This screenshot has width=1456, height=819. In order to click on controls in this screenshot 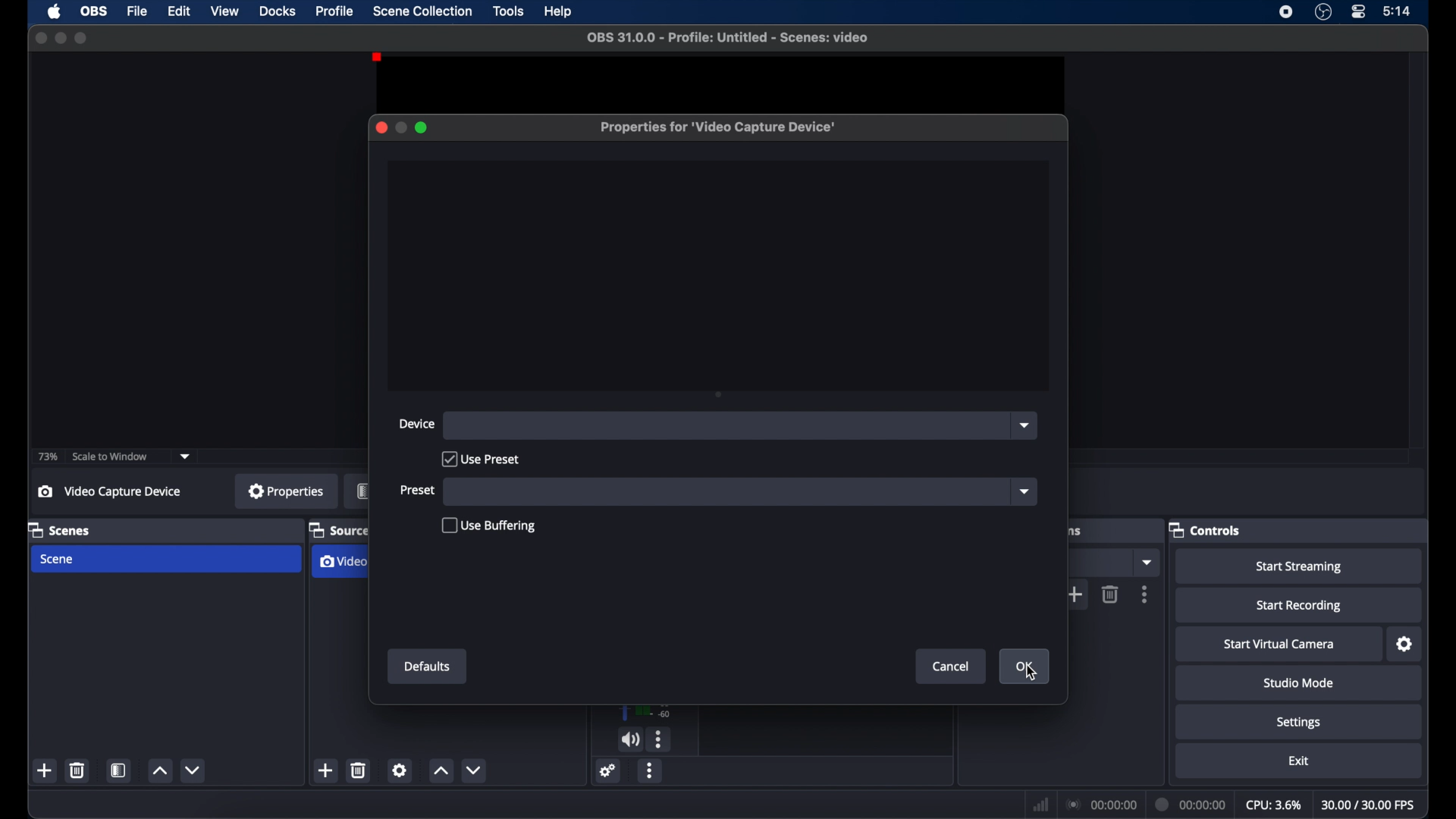, I will do `click(1205, 529)`.